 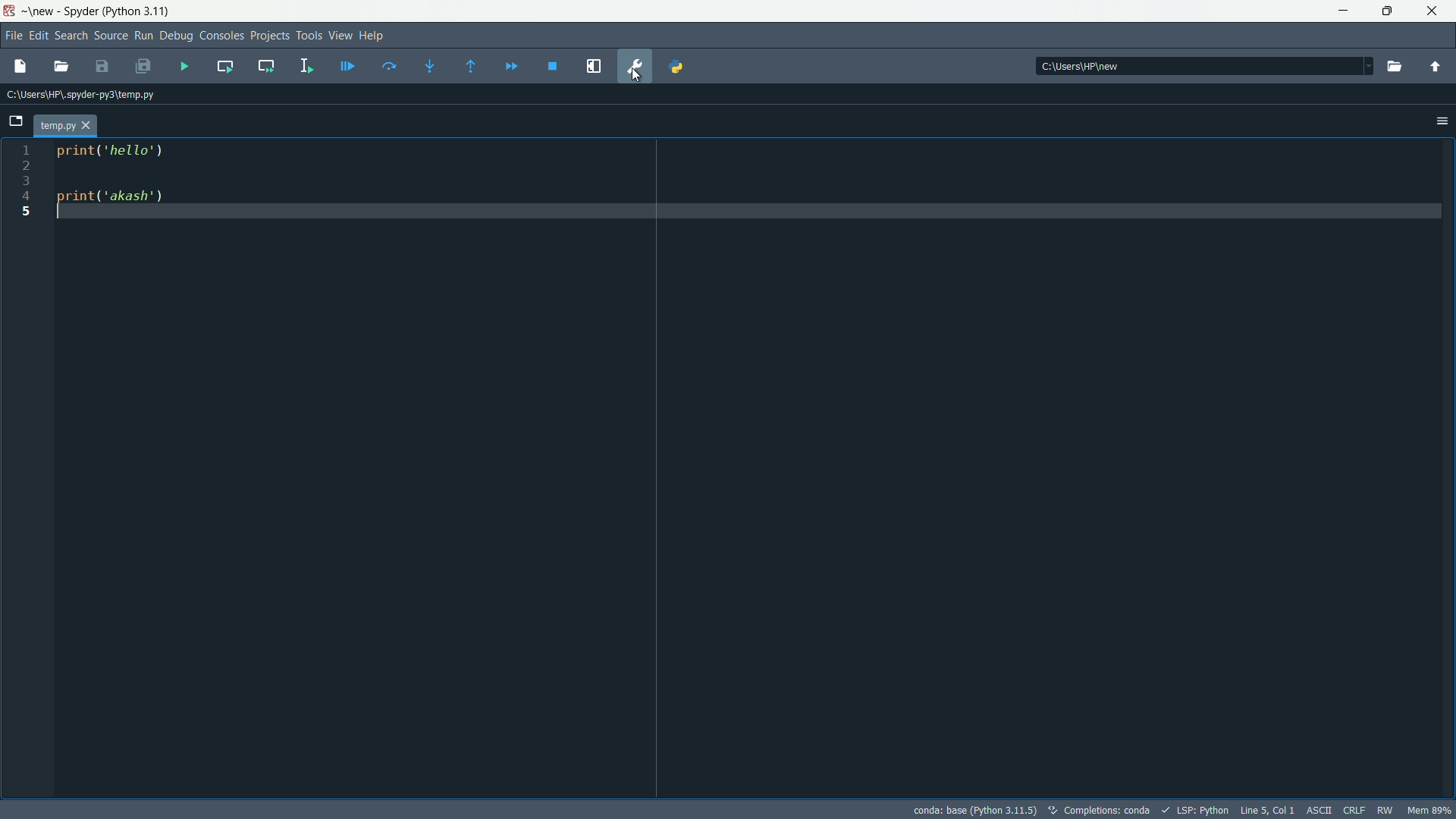 I want to click on edit menu, so click(x=39, y=36).